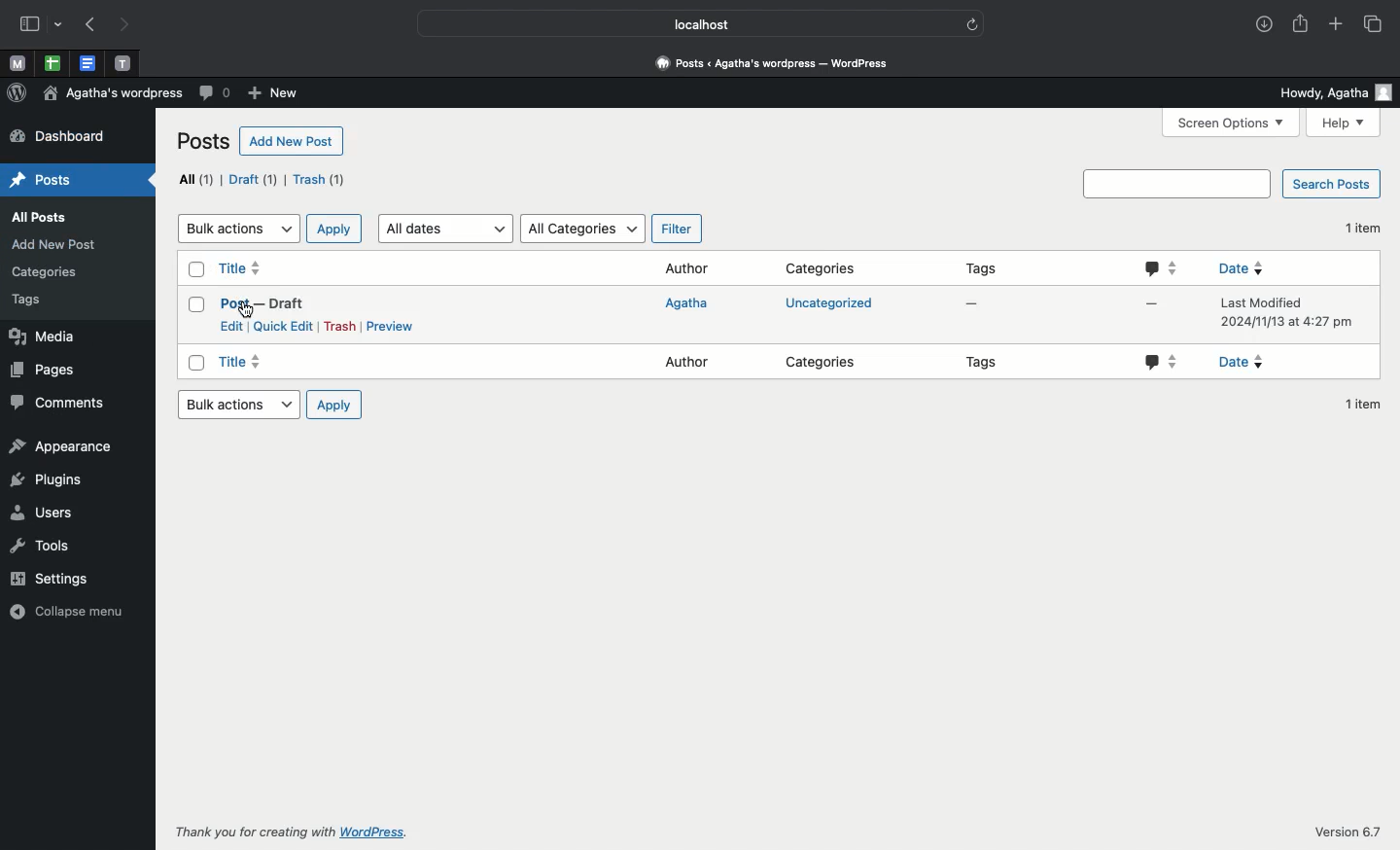 The width and height of the screenshot is (1400, 850). I want to click on drop-down, so click(60, 26).